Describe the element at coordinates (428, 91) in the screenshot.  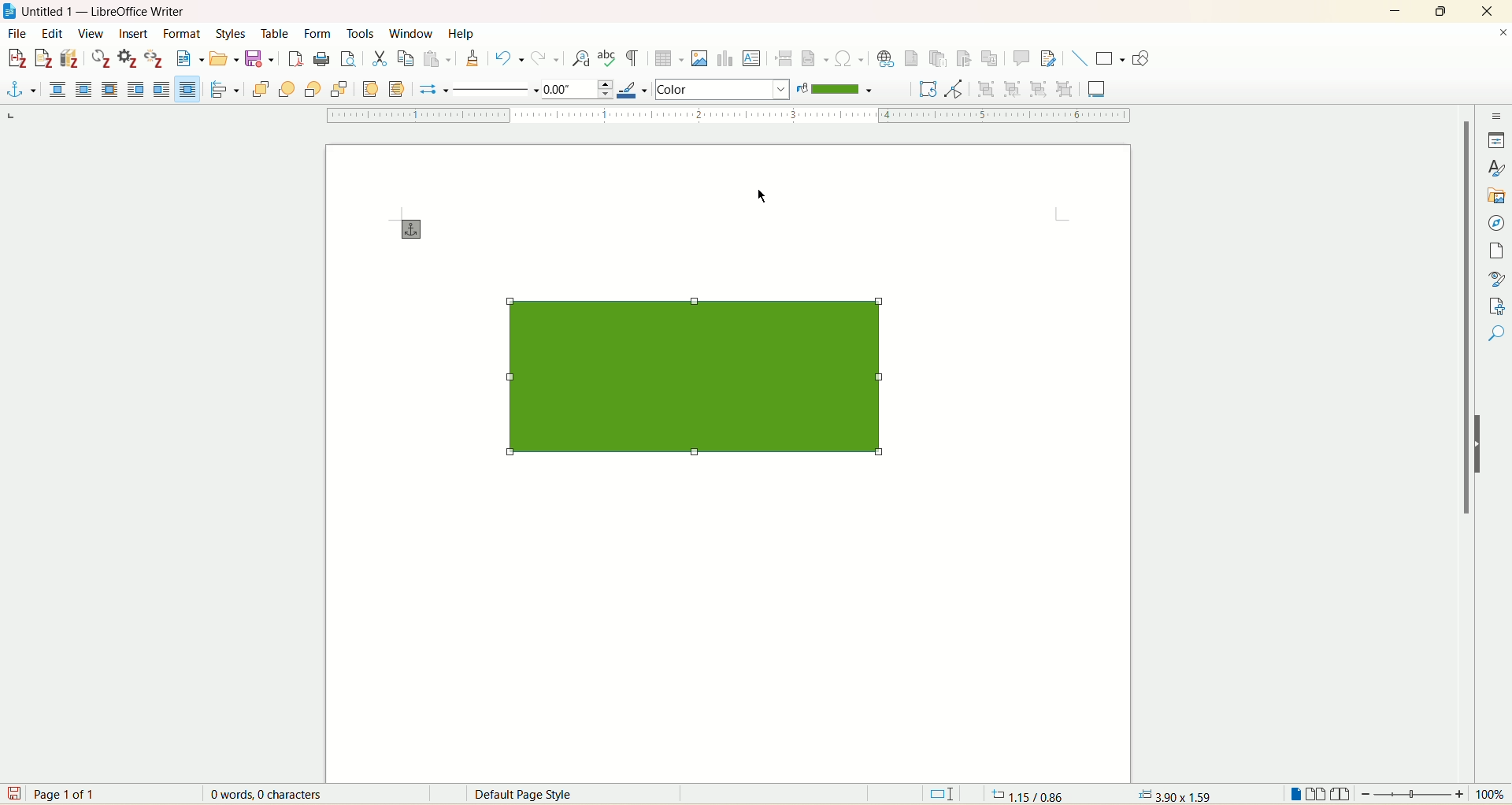
I see `start and end arrowheads` at that location.